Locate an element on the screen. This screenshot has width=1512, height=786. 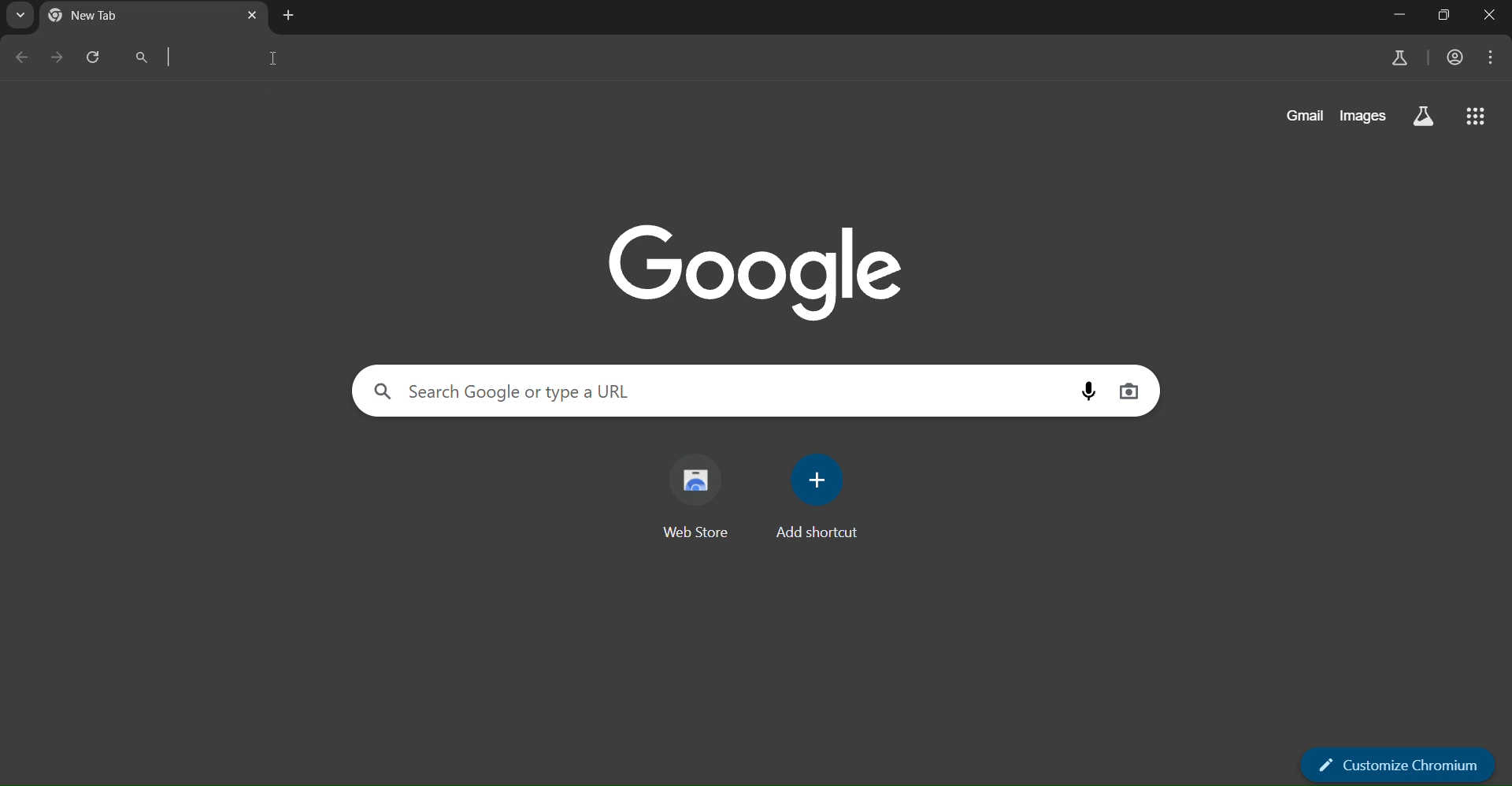
web store is located at coordinates (699, 495).